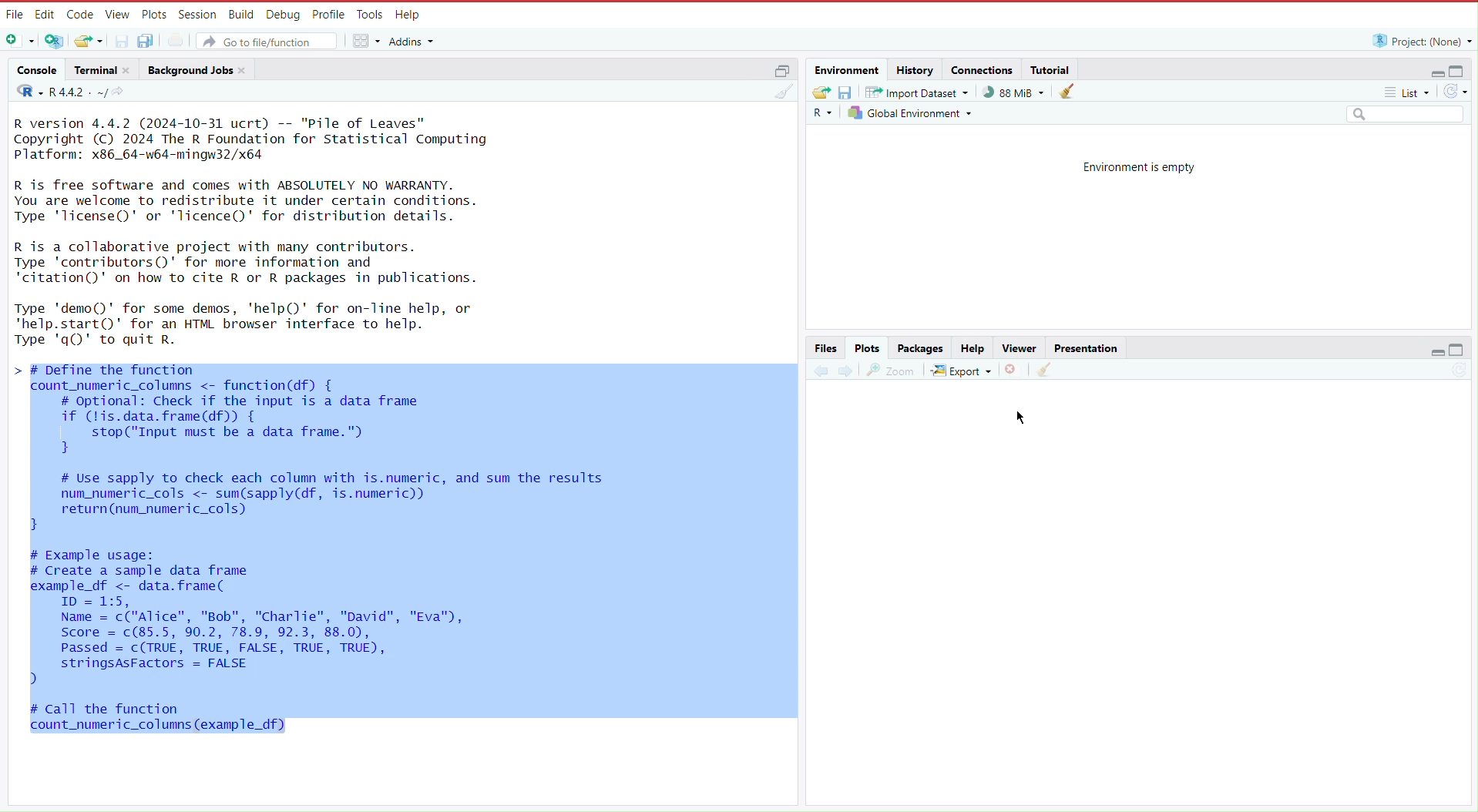 This screenshot has width=1478, height=812. Describe the element at coordinates (892, 367) in the screenshot. I see `Zoom` at that location.